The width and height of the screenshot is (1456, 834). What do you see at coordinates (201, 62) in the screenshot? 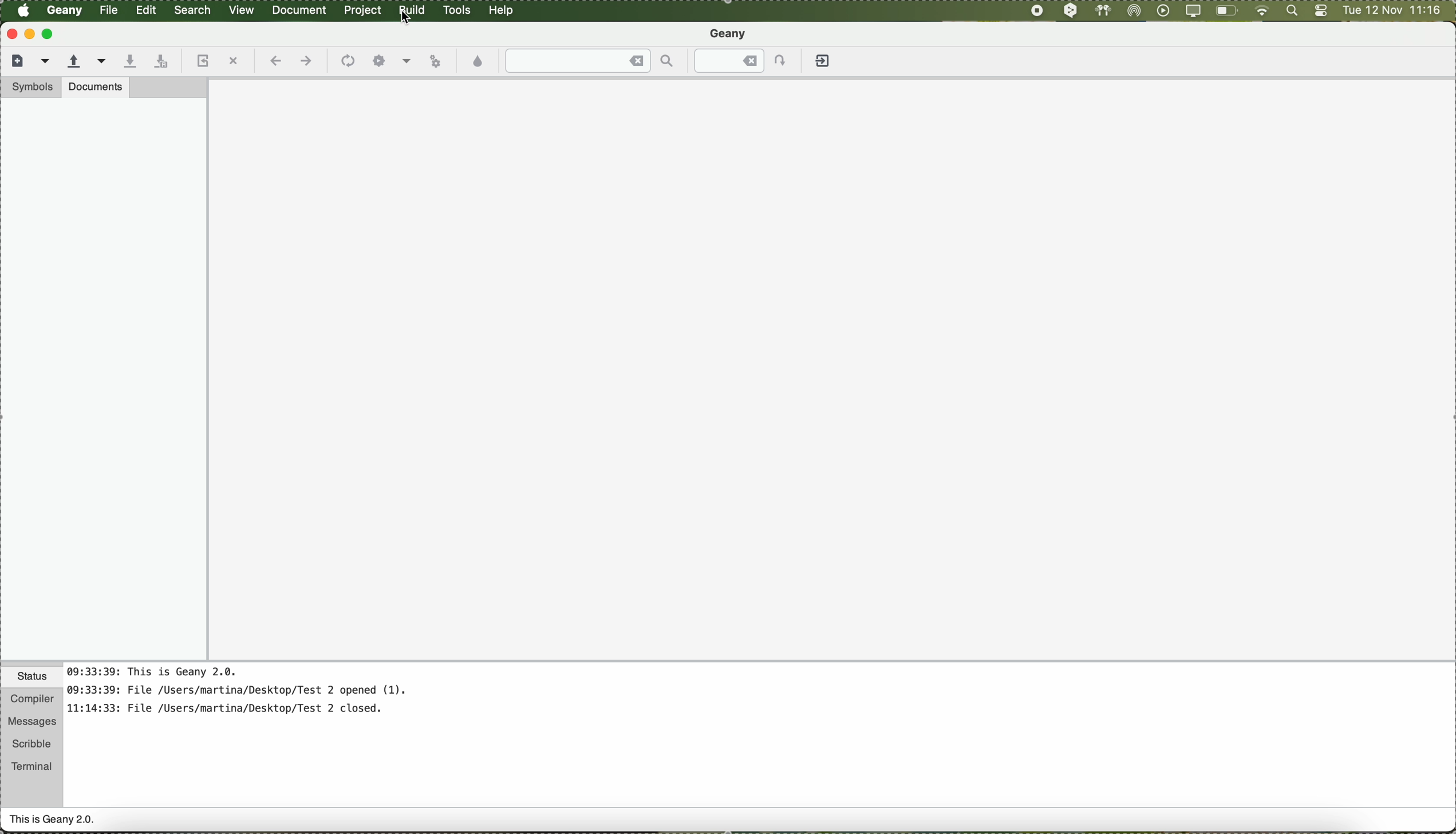
I see `reload the current file from disk` at bounding box center [201, 62].